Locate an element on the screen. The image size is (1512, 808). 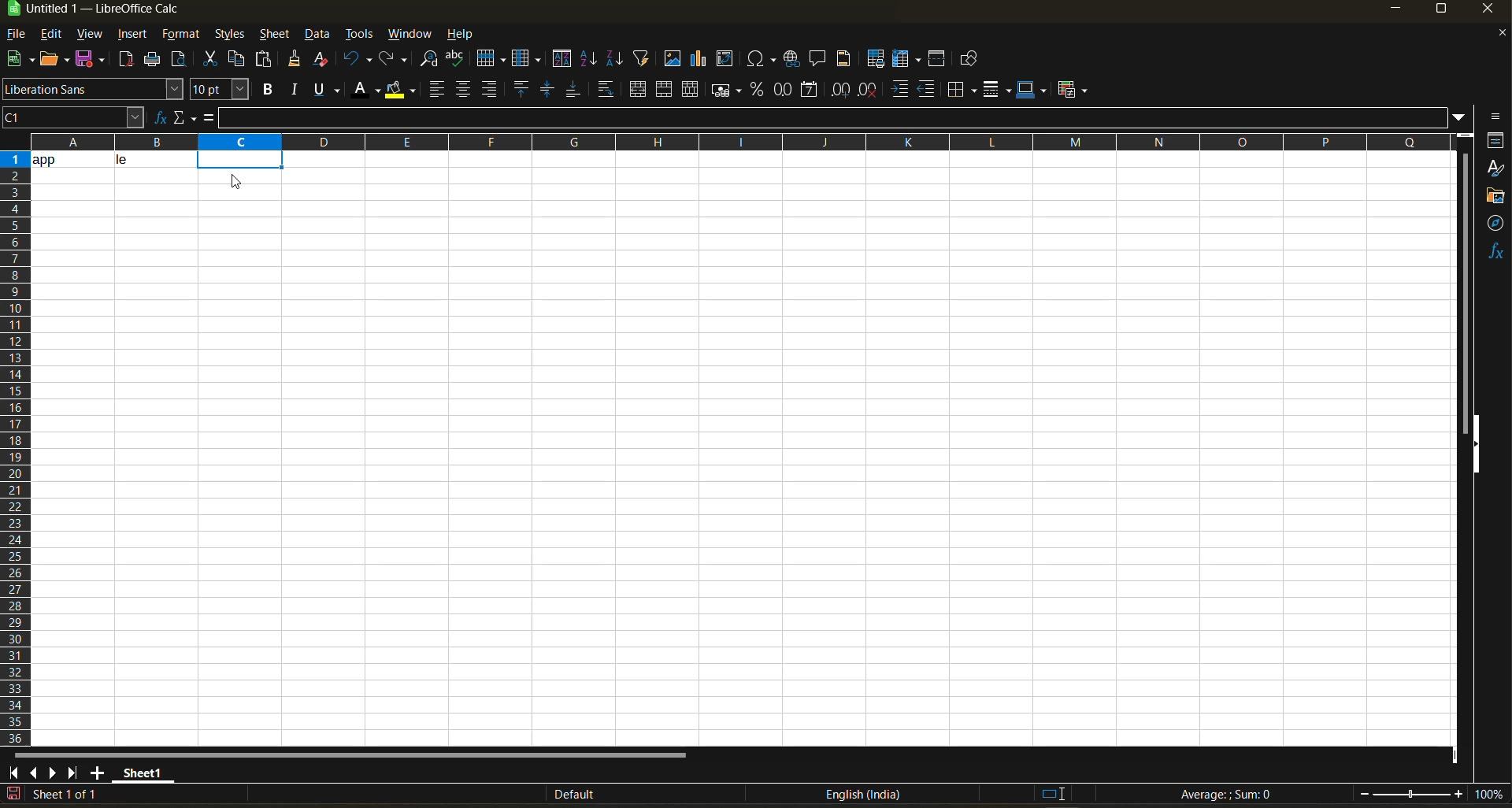
sheet name is located at coordinates (140, 770).